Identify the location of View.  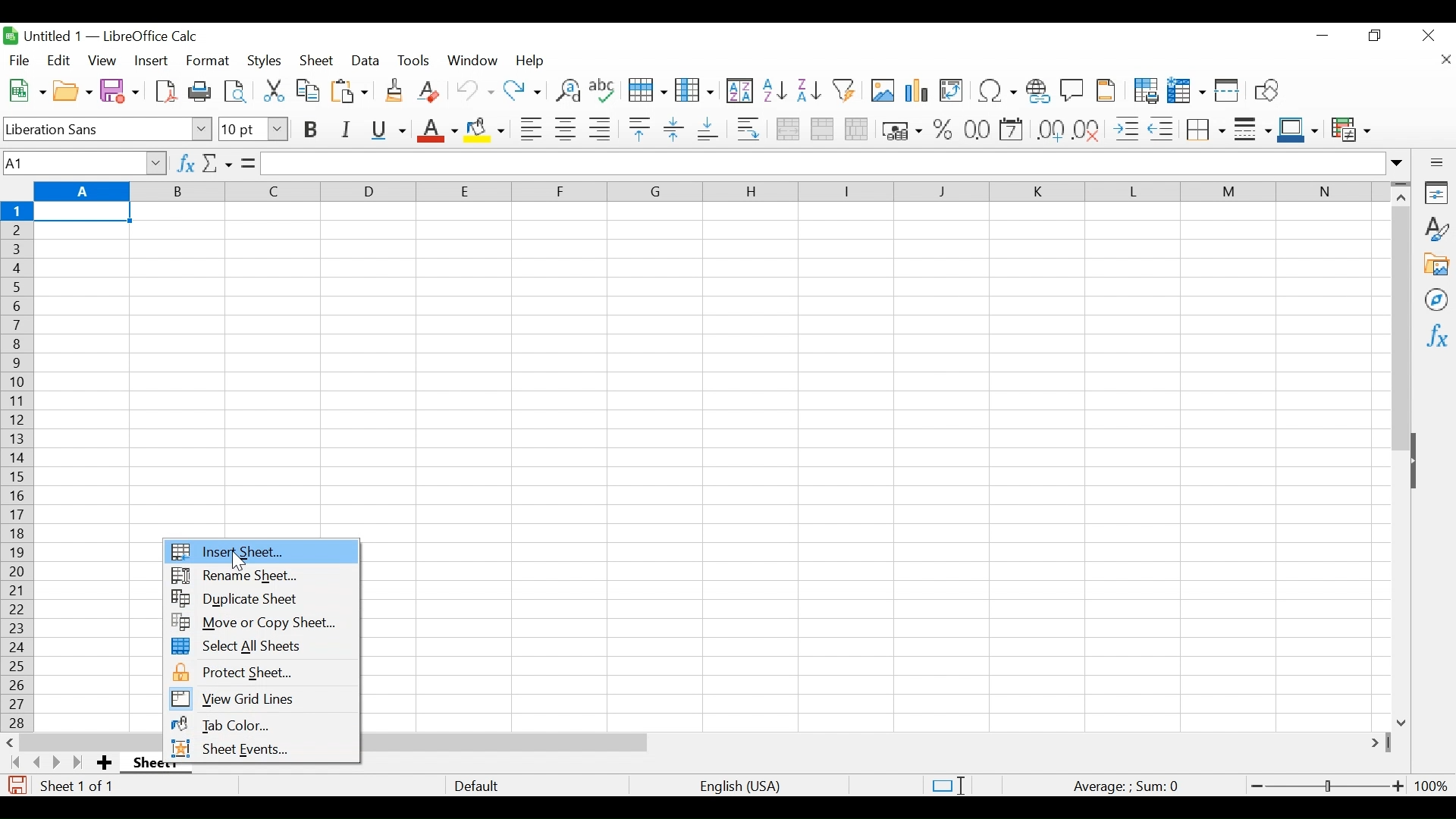
(102, 60).